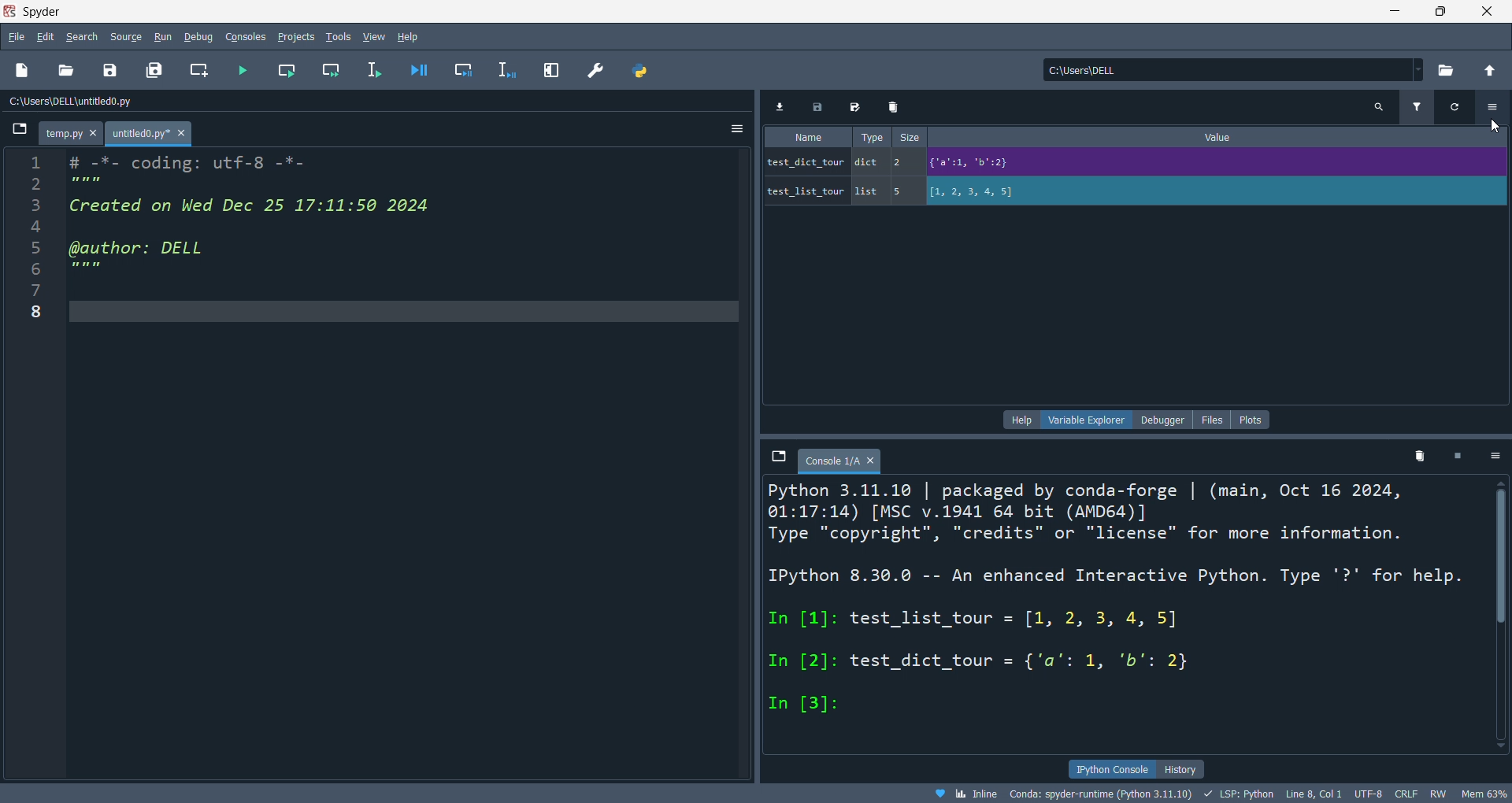 Image resolution: width=1512 pixels, height=803 pixels. What do you see at coordinates (125, 35) in the screenshot?
I see `source` at bounding box center [125, 35].